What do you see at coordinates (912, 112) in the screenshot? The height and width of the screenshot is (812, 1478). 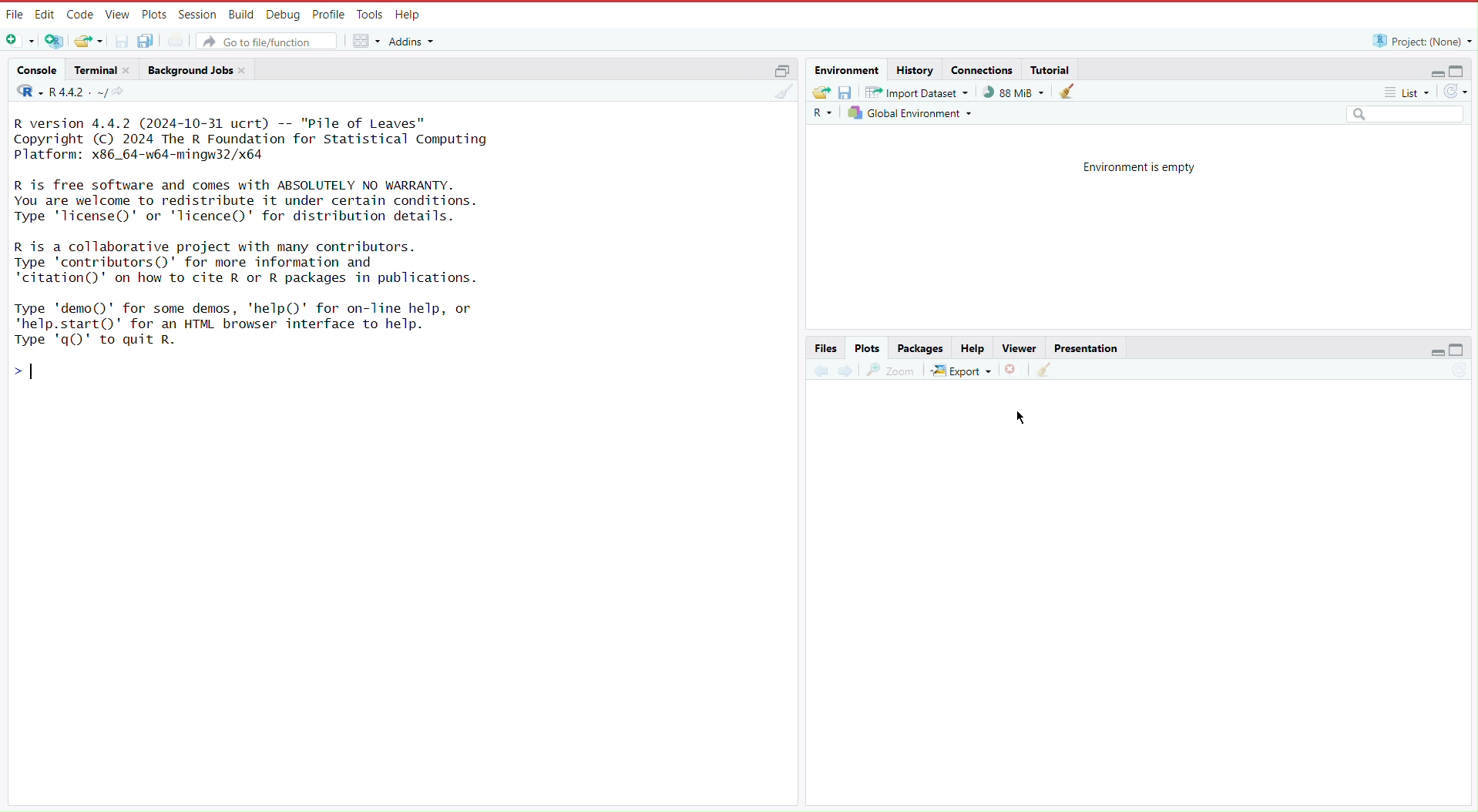 I see `Global Environment` at bounding box center [912, 112].